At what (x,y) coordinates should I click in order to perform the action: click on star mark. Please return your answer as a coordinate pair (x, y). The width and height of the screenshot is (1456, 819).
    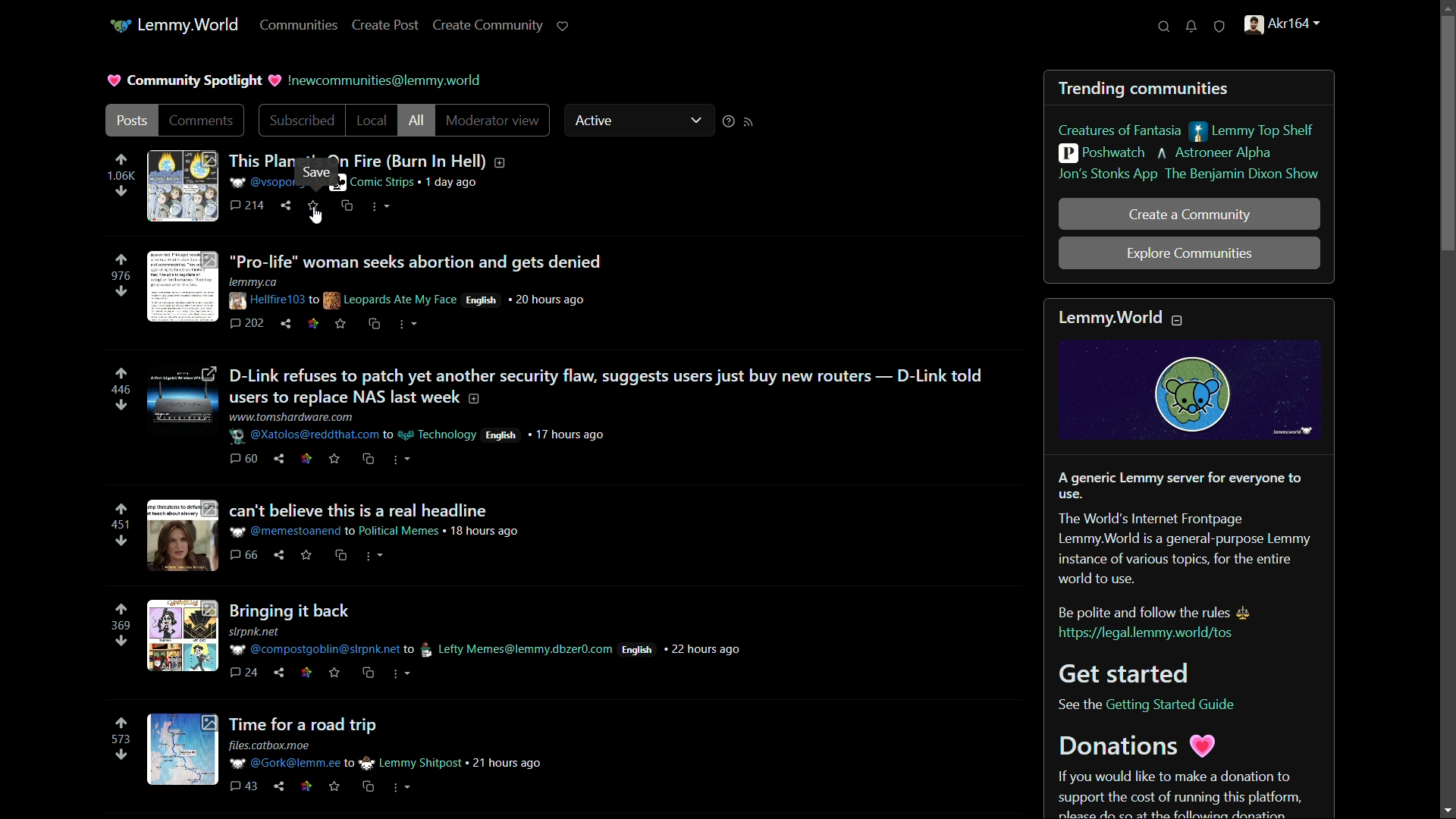
    Looking at the image, I should click on (316, 209).